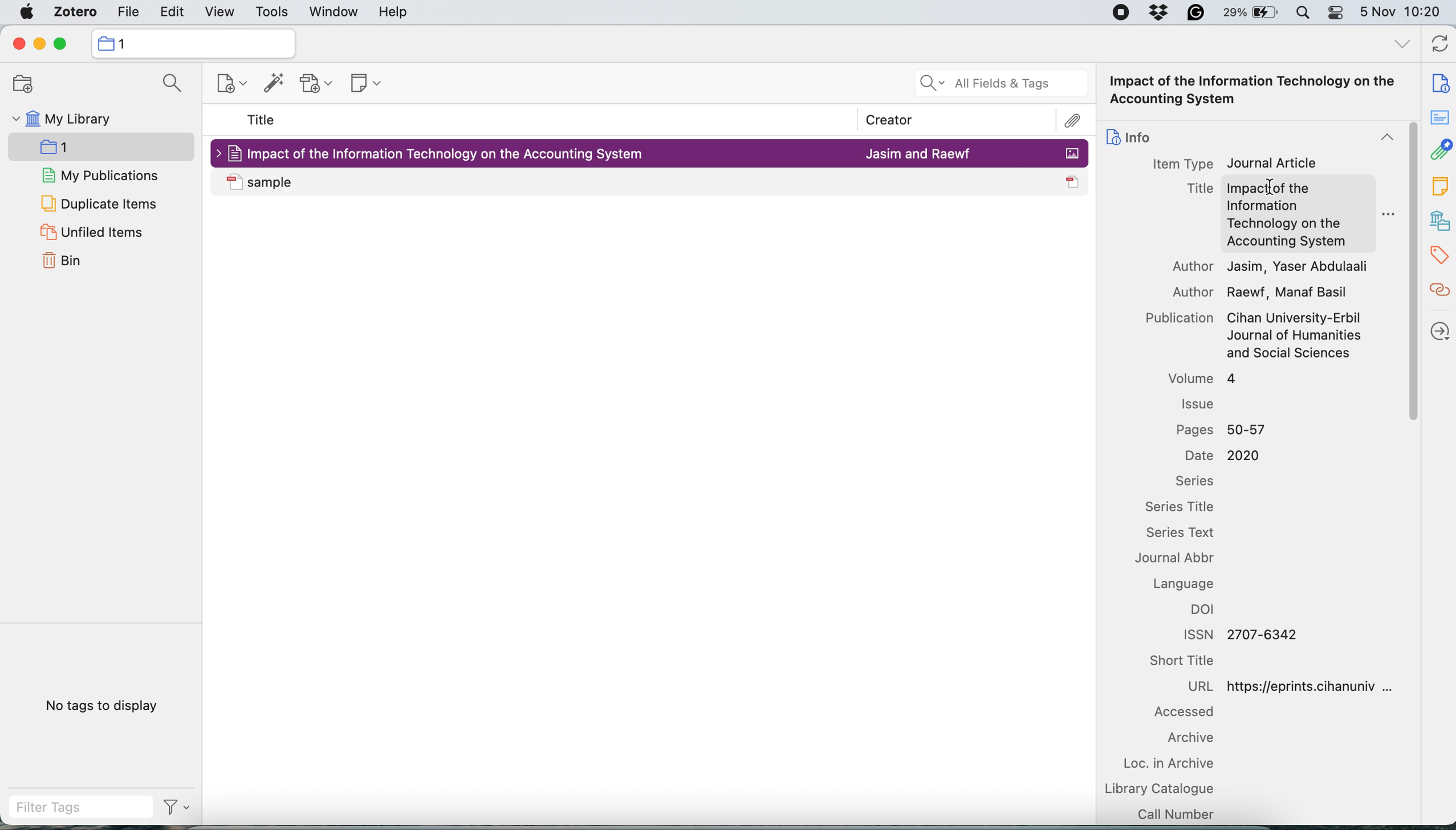 The height and width of the screenshot is (830, 1456). Describe the element at coordinates (1196, 13) in the screenshot. I see `grammarly` at that location.